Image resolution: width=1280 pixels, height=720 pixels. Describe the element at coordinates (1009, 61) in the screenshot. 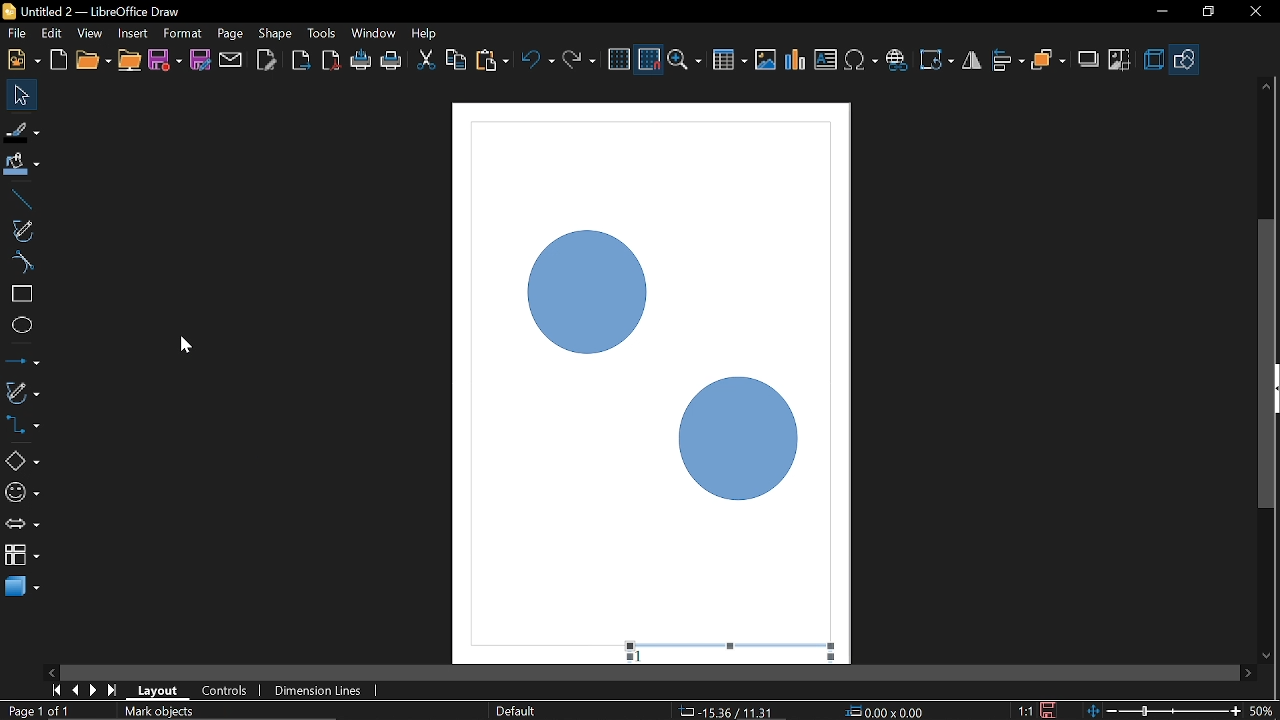

I see `Align` at that location.